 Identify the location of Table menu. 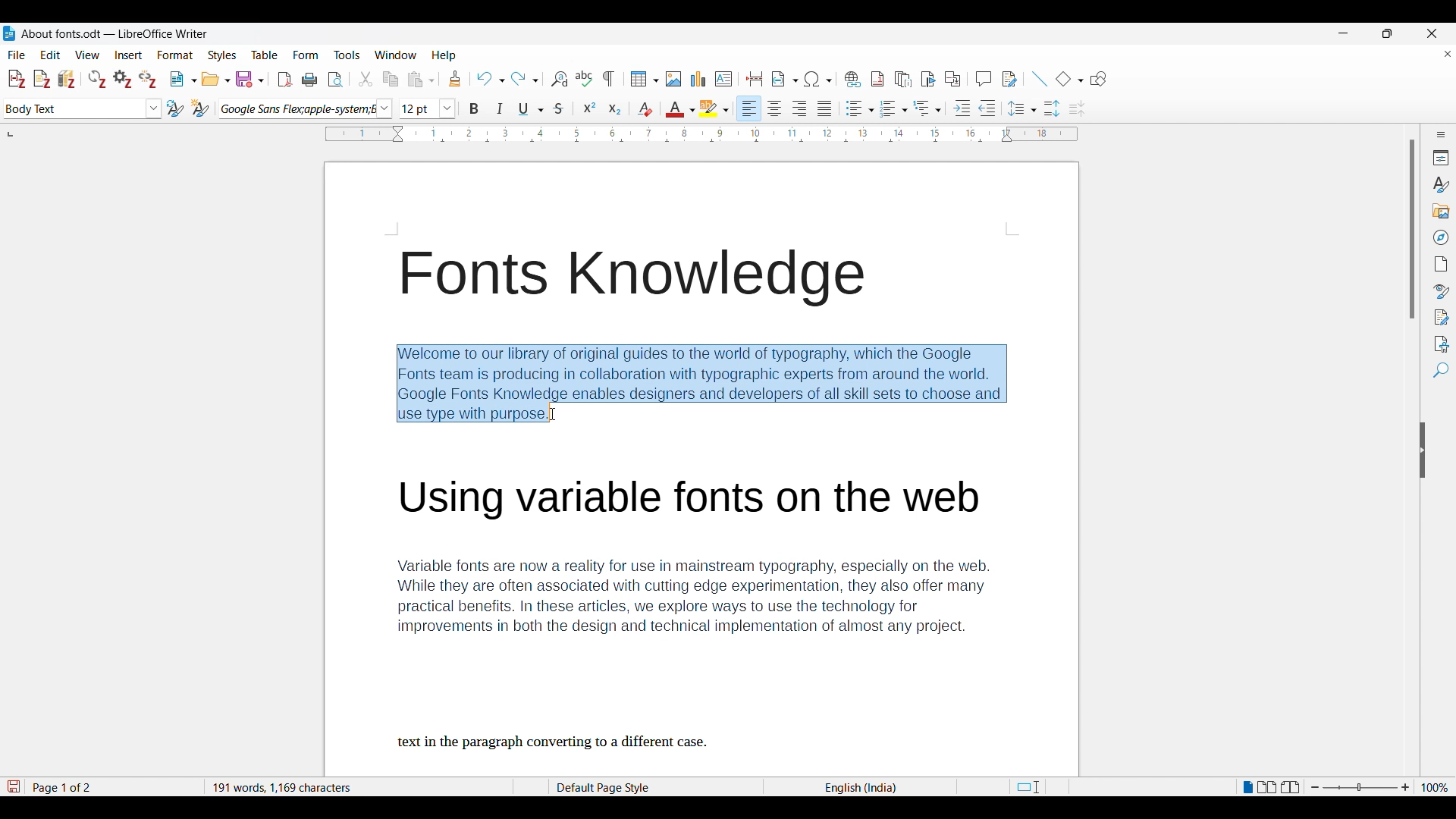
(265, 55).